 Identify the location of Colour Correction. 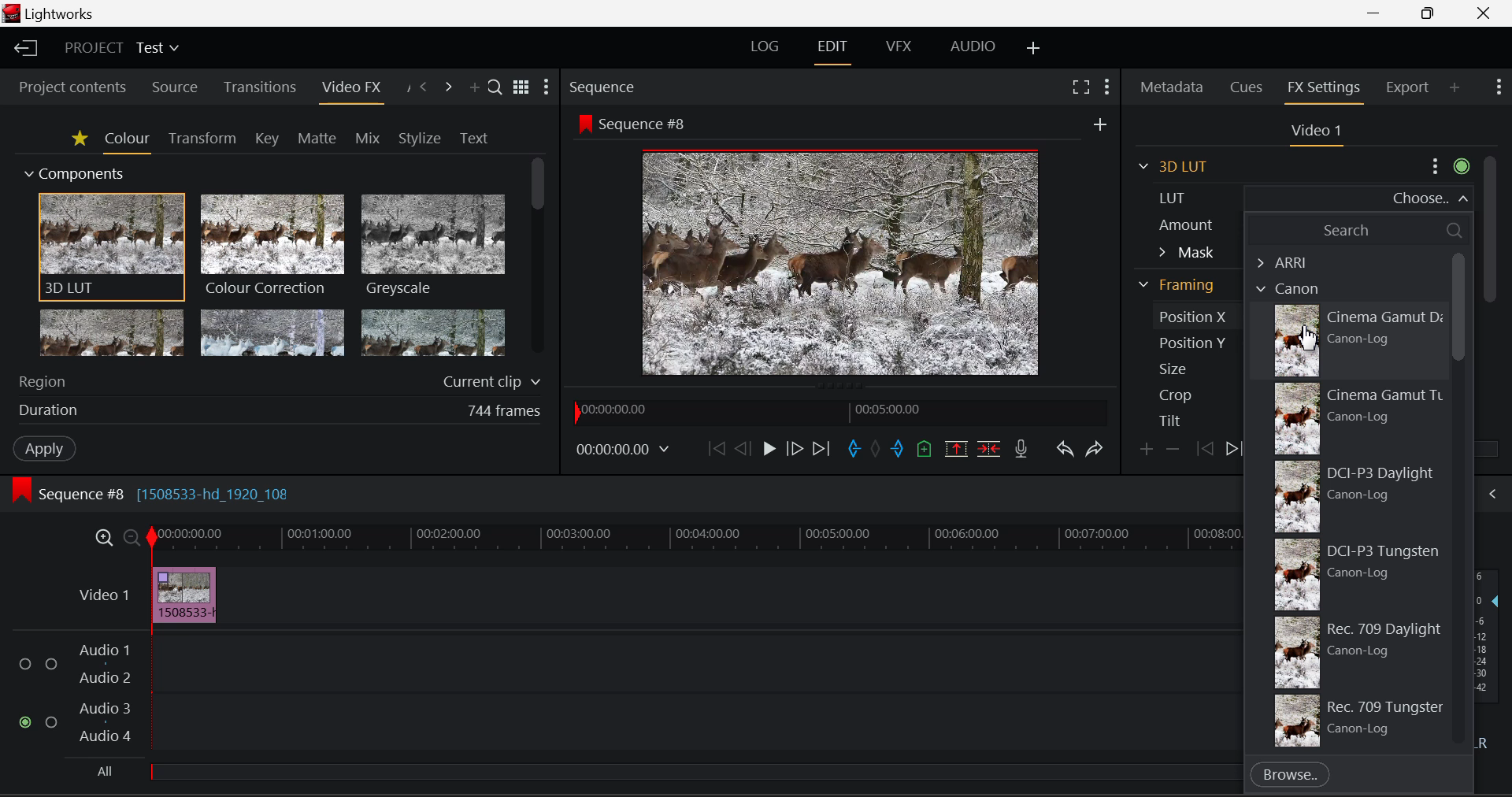
(273, 246).